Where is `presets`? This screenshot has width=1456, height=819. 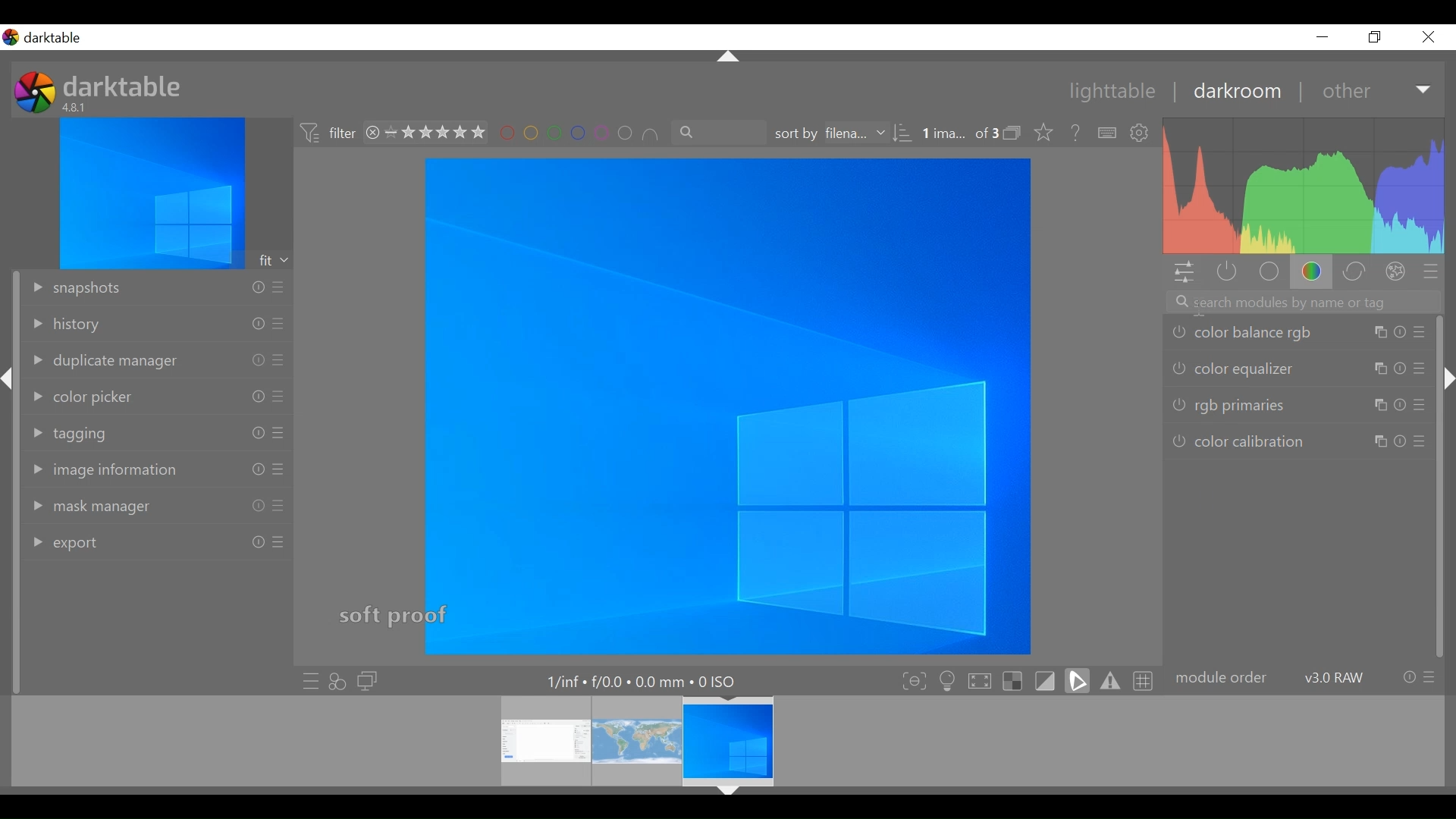
presets is located at coordinates (1421, 331).